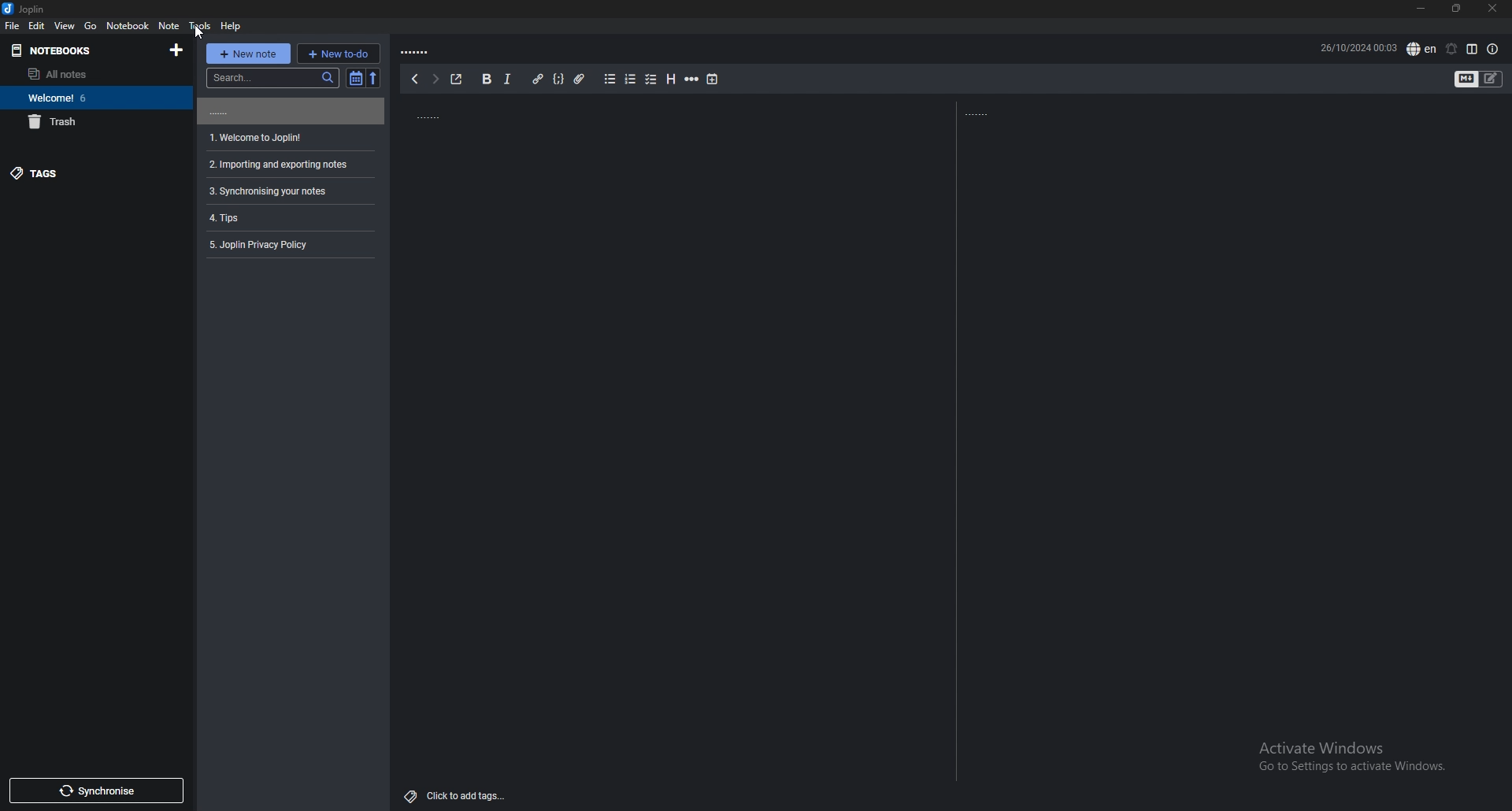 This screenshot has height=811, width=1512. What do you see at coordinates (26, 9) in the screenshot?
I see `Joplin` at bounding box center [26, 9].